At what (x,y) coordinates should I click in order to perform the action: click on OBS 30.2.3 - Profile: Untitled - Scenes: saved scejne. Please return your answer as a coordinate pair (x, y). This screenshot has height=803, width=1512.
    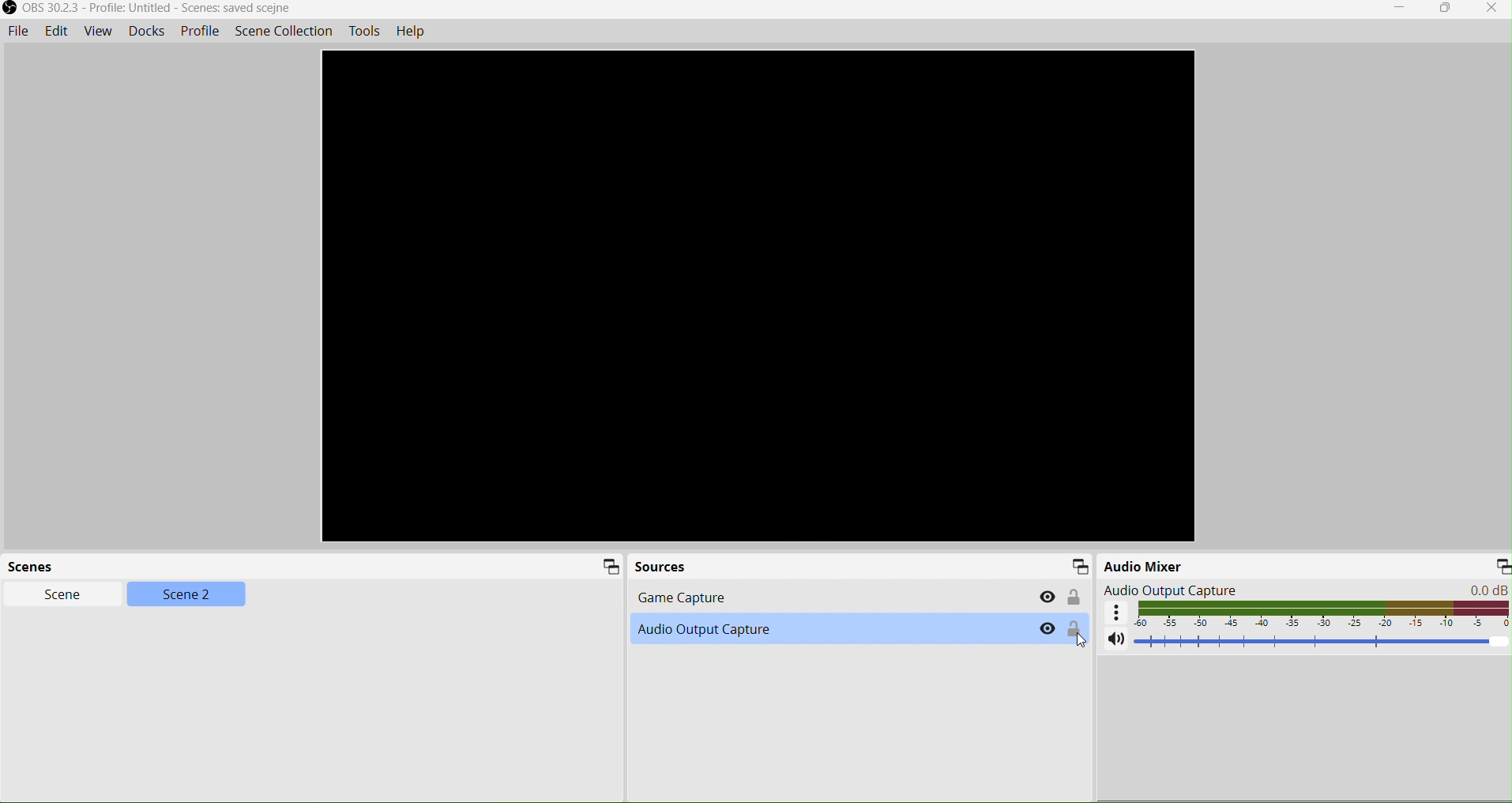
    Looking at the image, I should click on (153, 8).